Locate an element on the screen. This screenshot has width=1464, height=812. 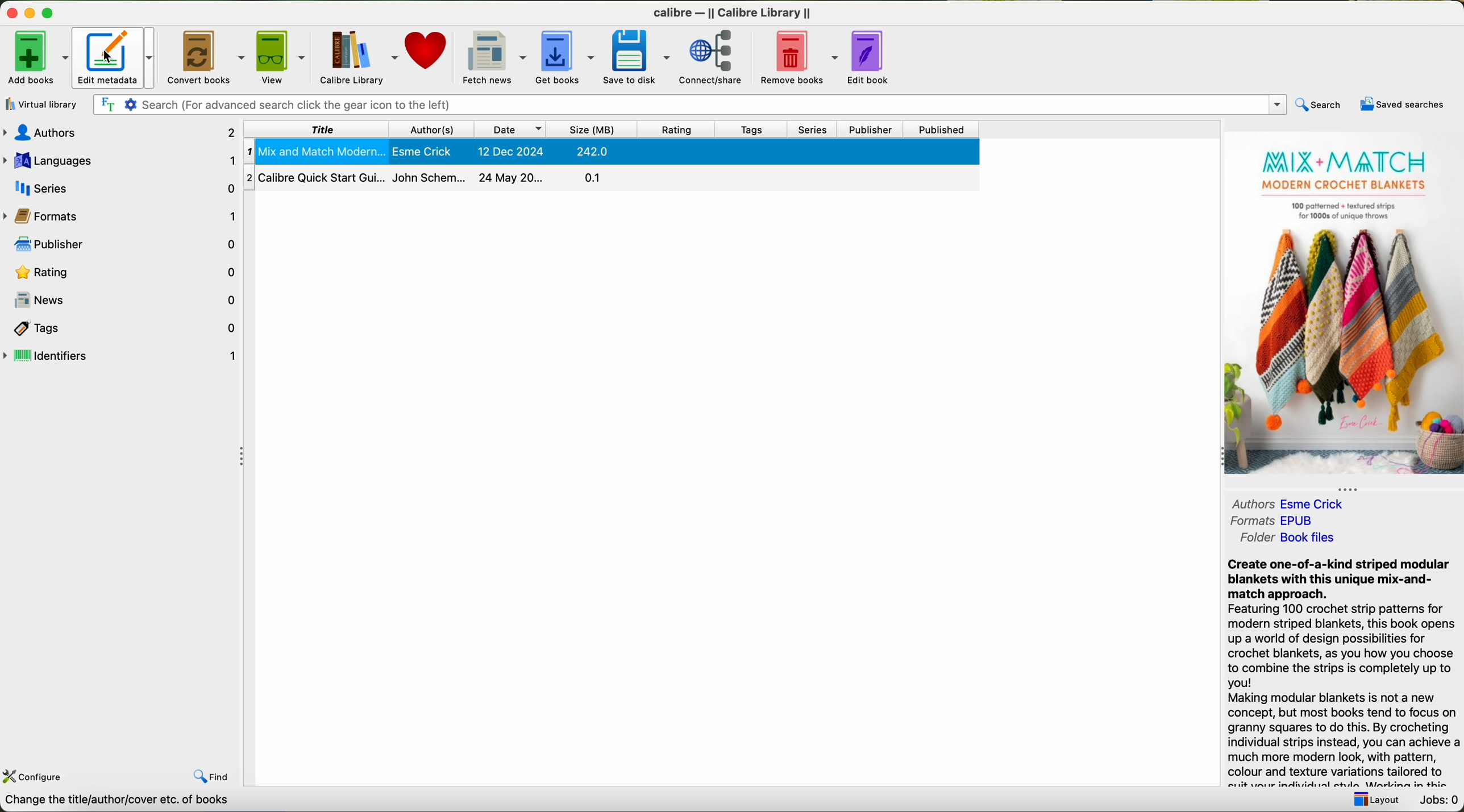
donate is located at coordinates (427, 49).